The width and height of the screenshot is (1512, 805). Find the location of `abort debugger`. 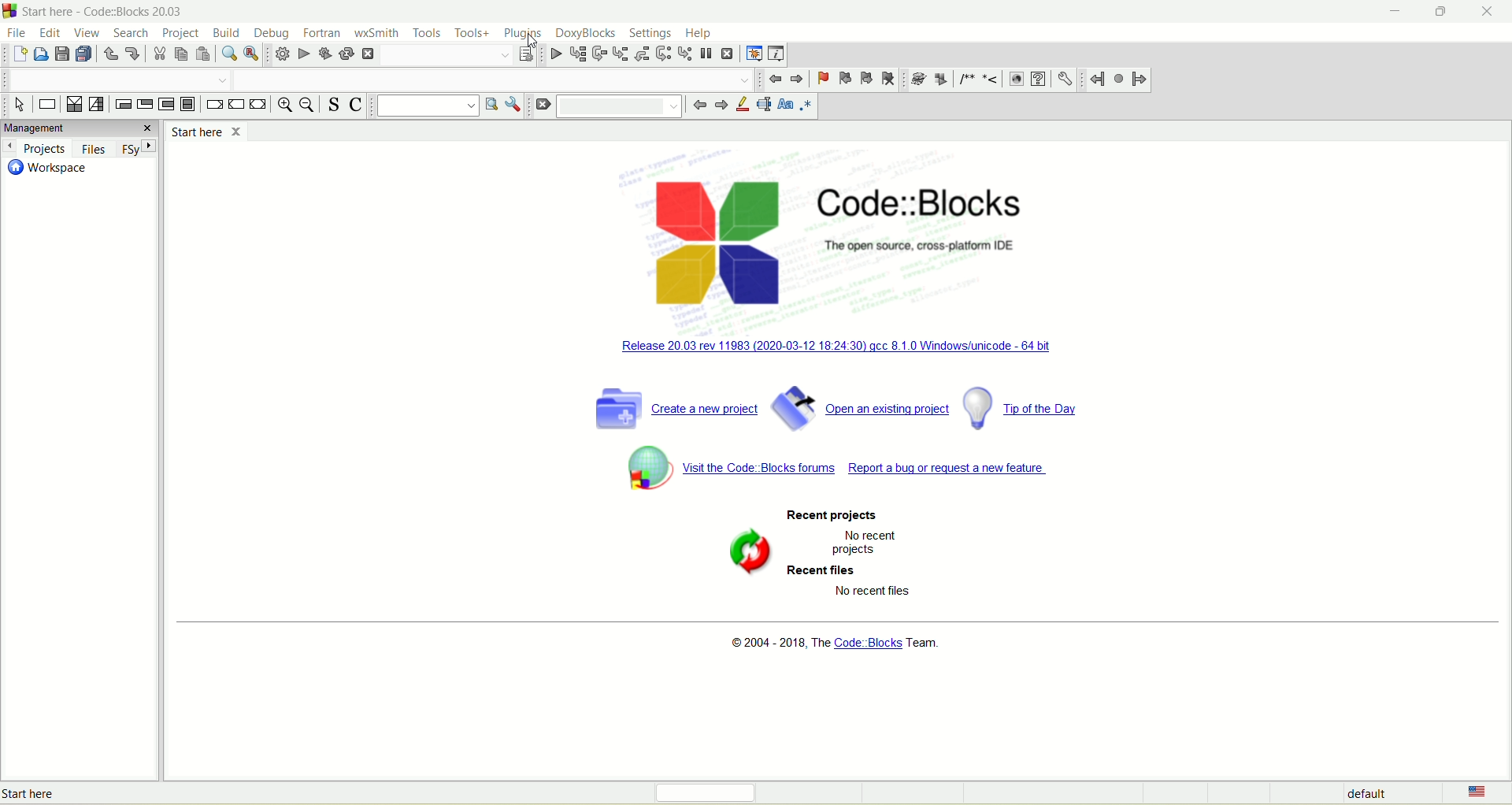

abort debugger is located at coordinates (728, 53).